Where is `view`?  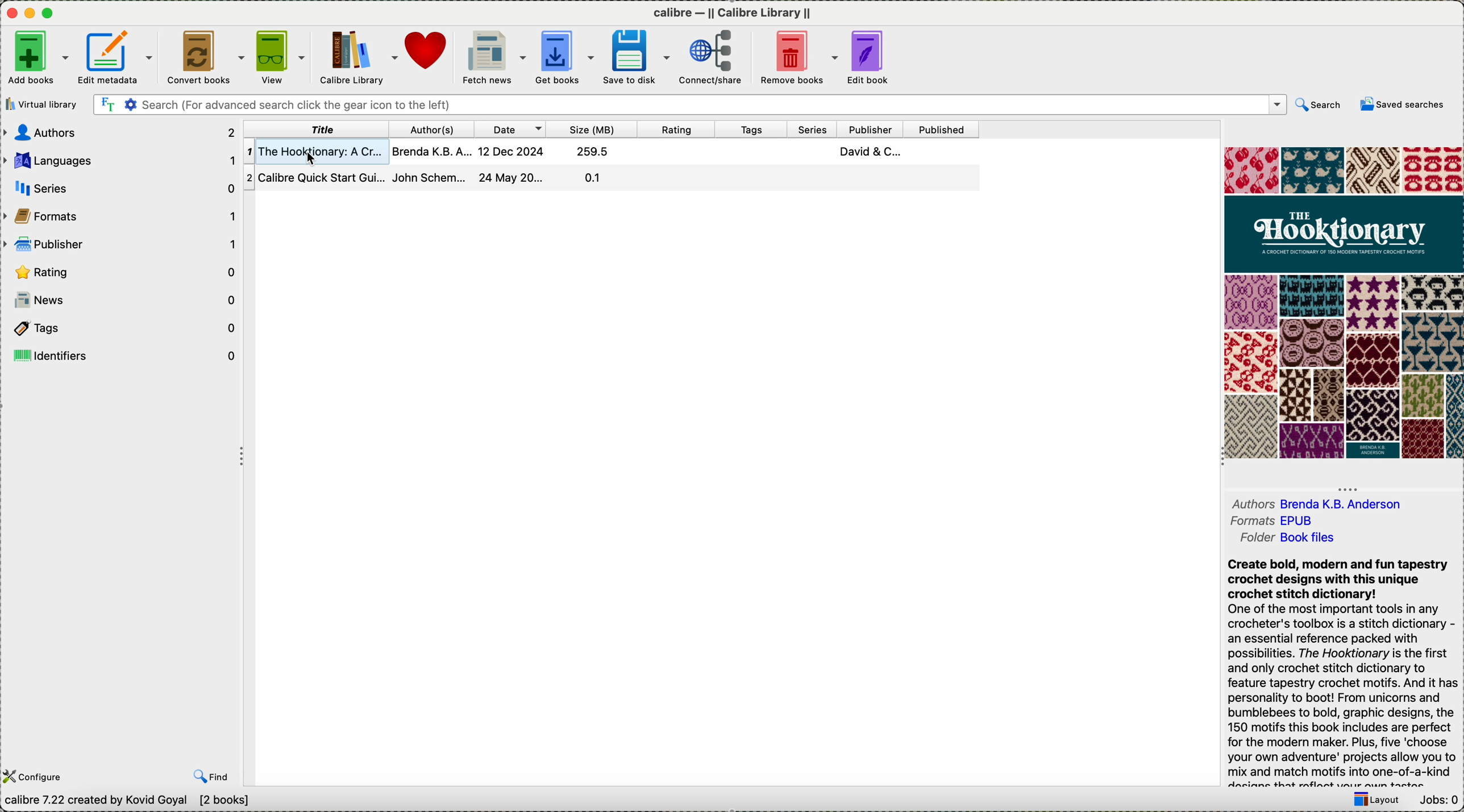
view is located at coordinates (280, 56).